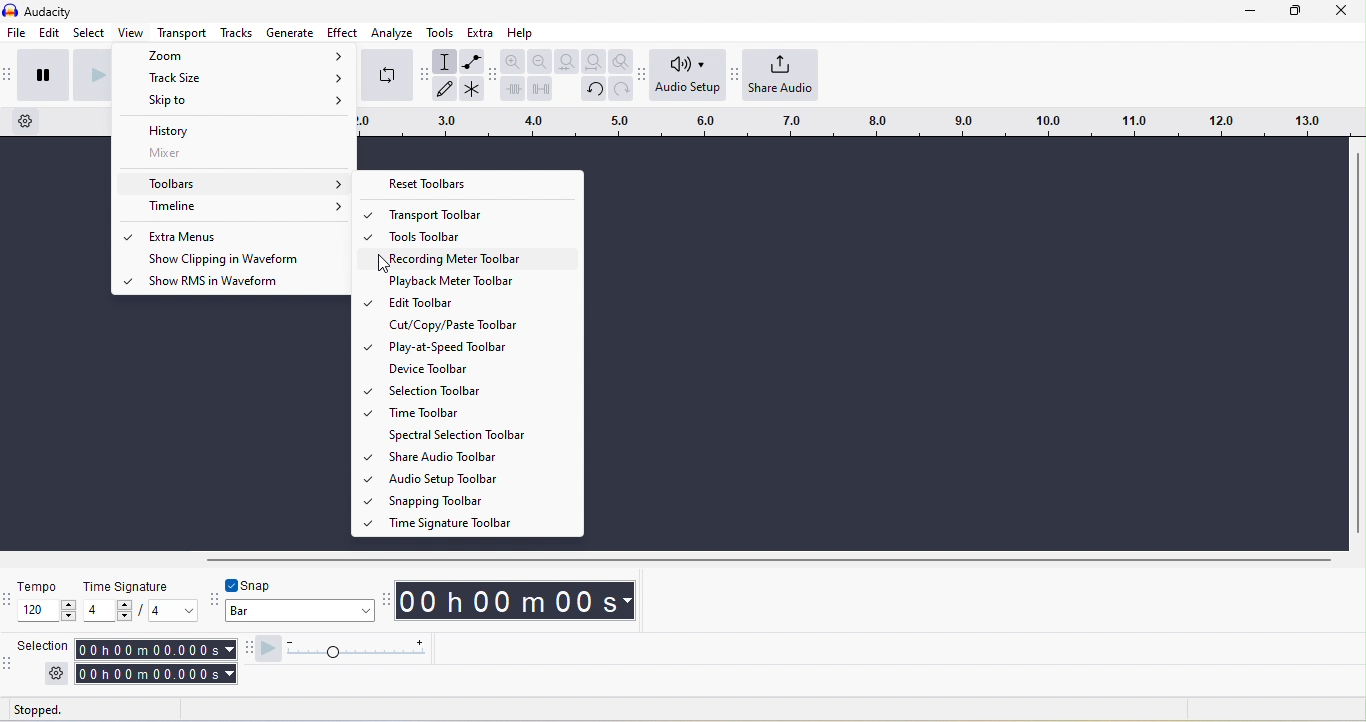  Describe the element at coordinates (125, 280) in the screenshot. I see `option enabled` at that location.